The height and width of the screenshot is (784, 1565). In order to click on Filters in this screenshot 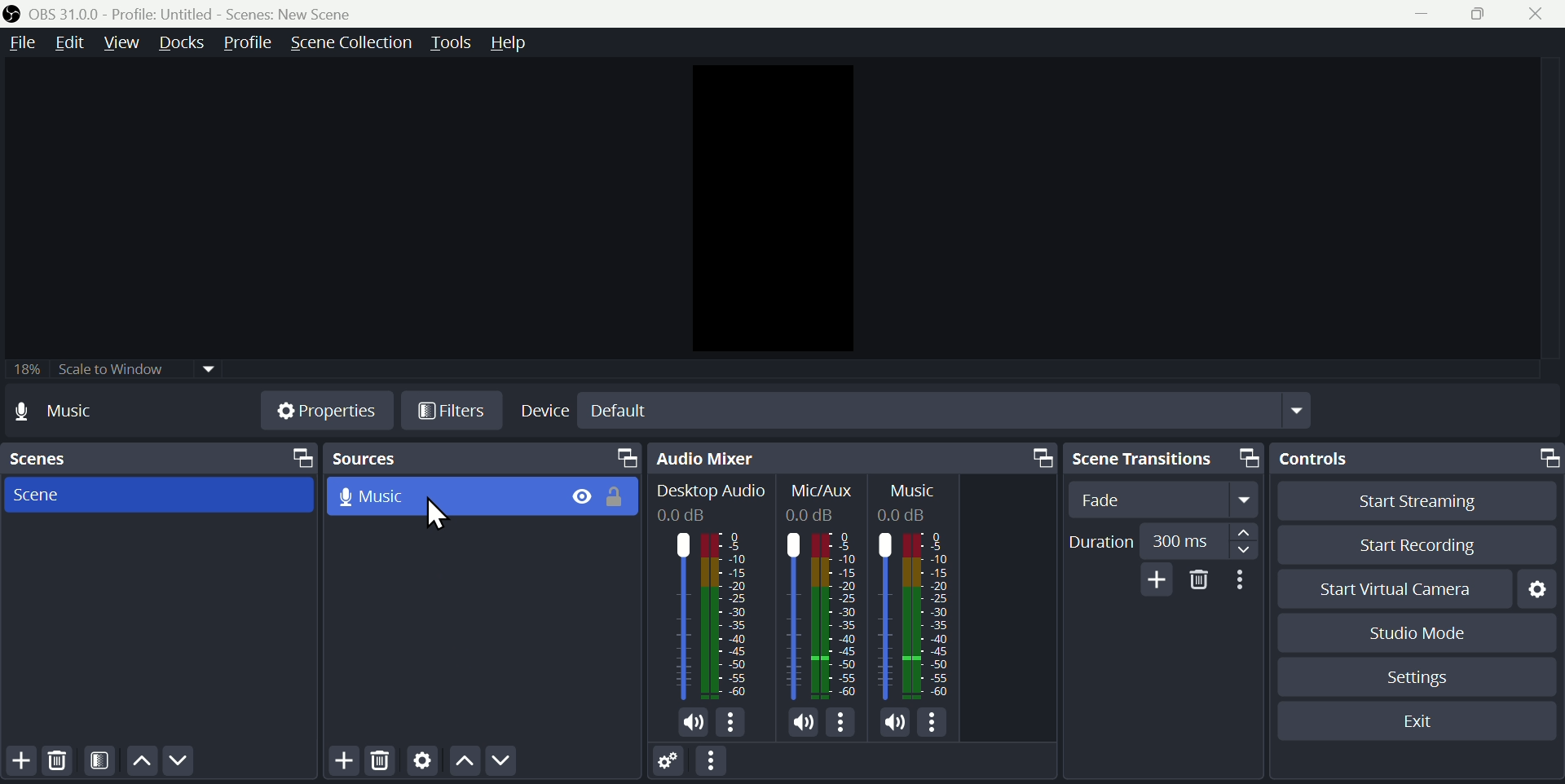, I will do `click(451, 410)`.